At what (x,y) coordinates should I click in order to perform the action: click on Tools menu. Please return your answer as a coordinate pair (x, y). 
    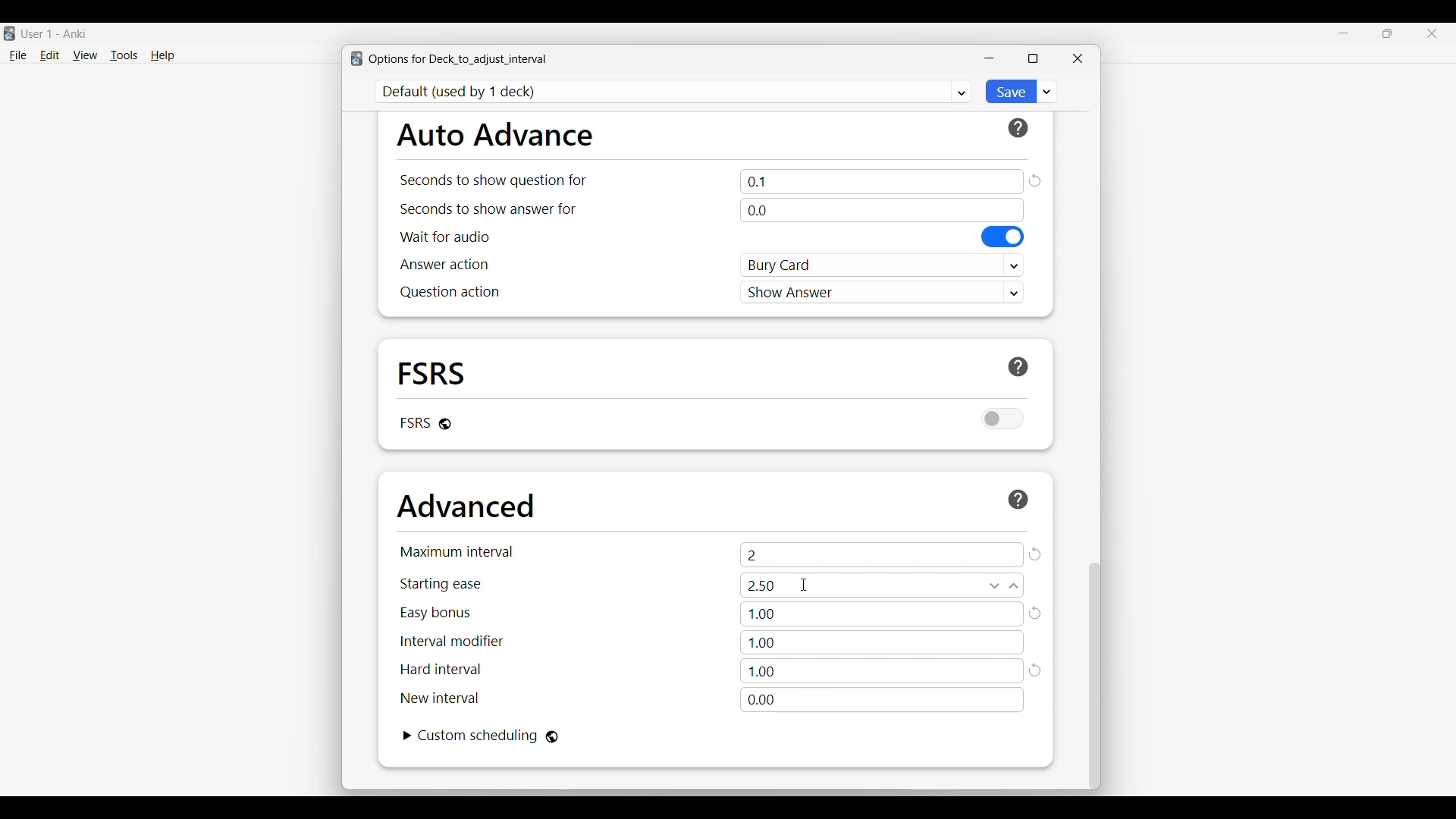
    Looking at the image, I should click on (124, 55).